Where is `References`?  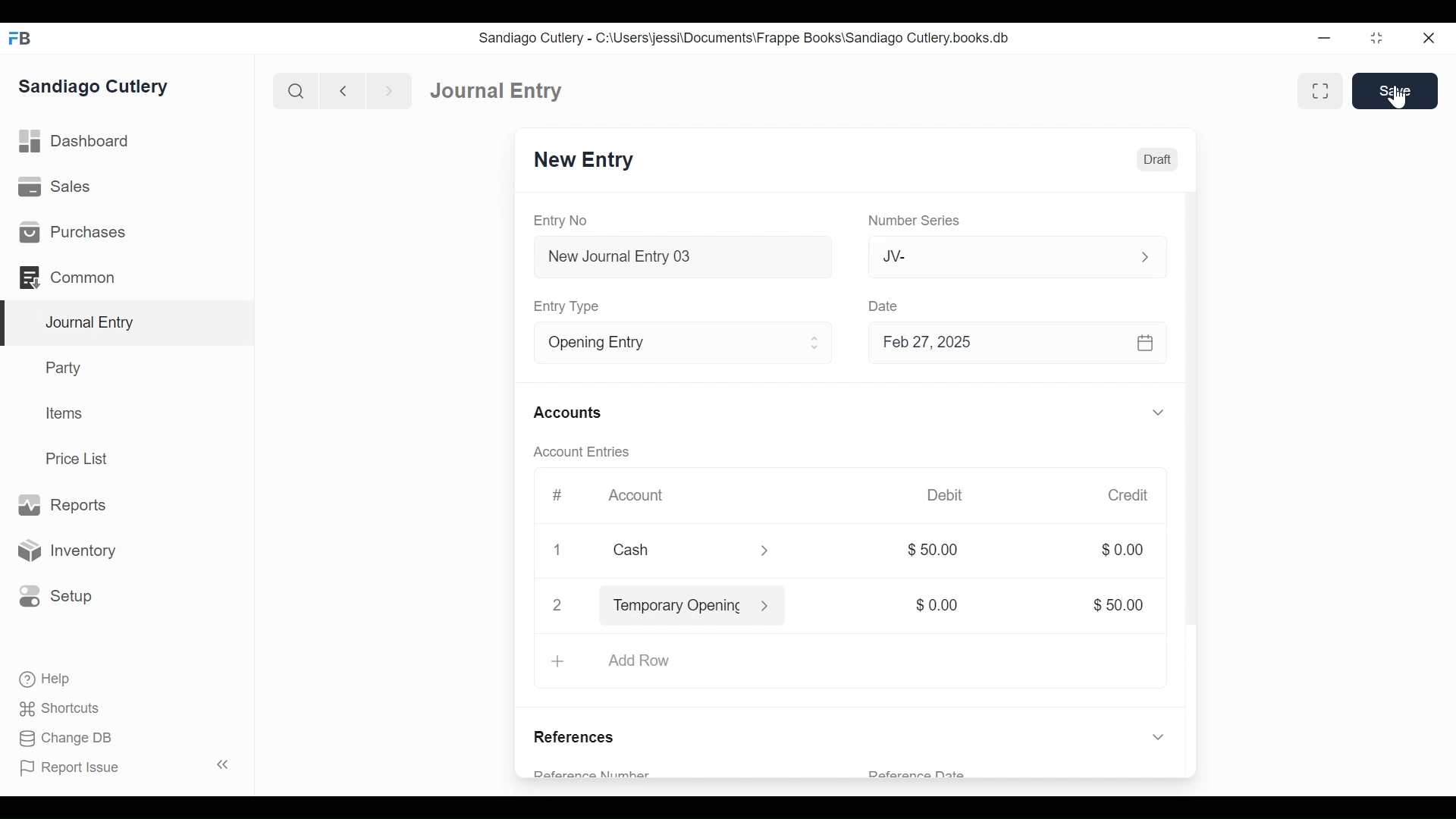 References is located at coordinates (579, 739).